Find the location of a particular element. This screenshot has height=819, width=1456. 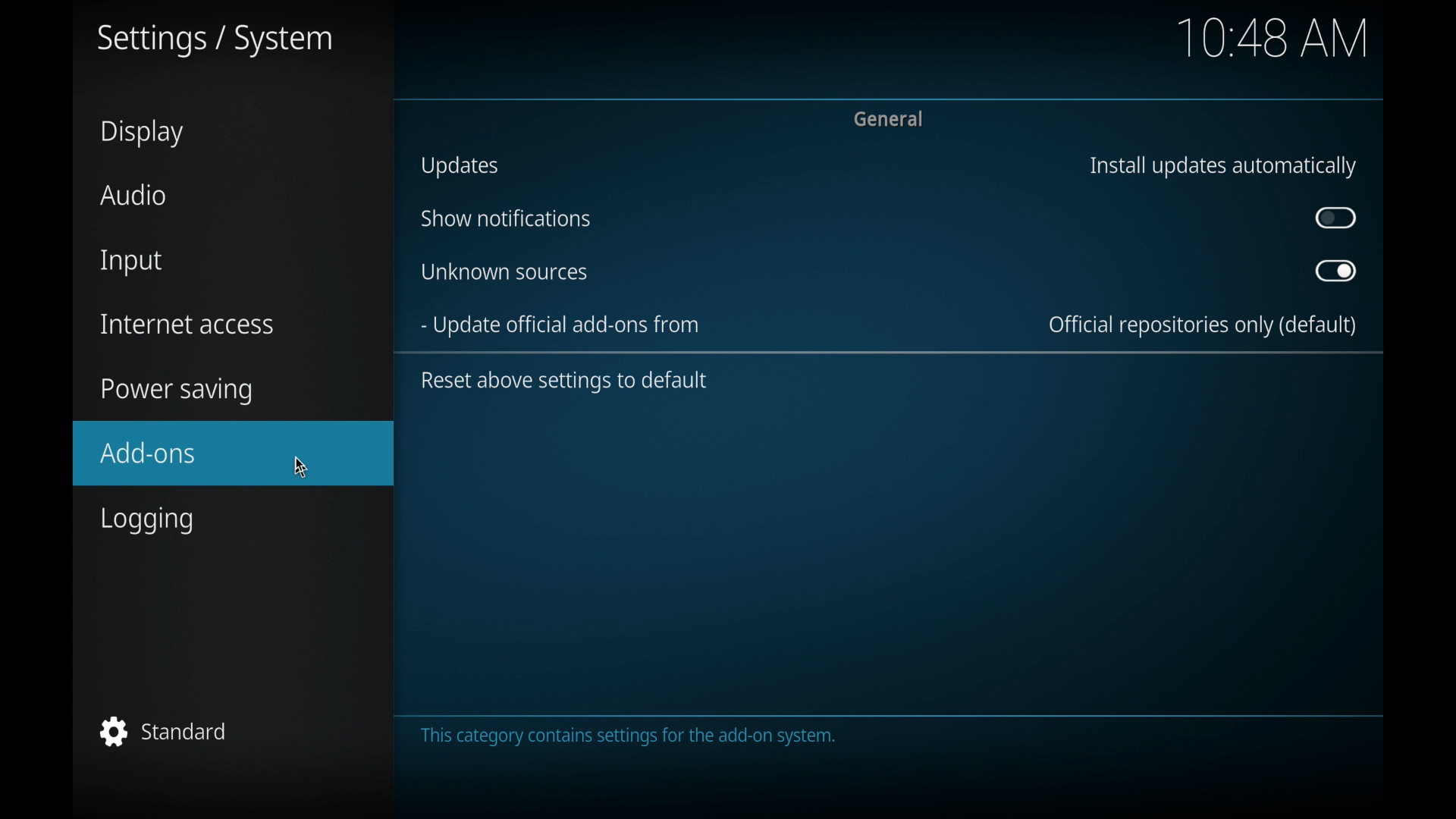

install updates automatically is located at coordinates (1223, 168).